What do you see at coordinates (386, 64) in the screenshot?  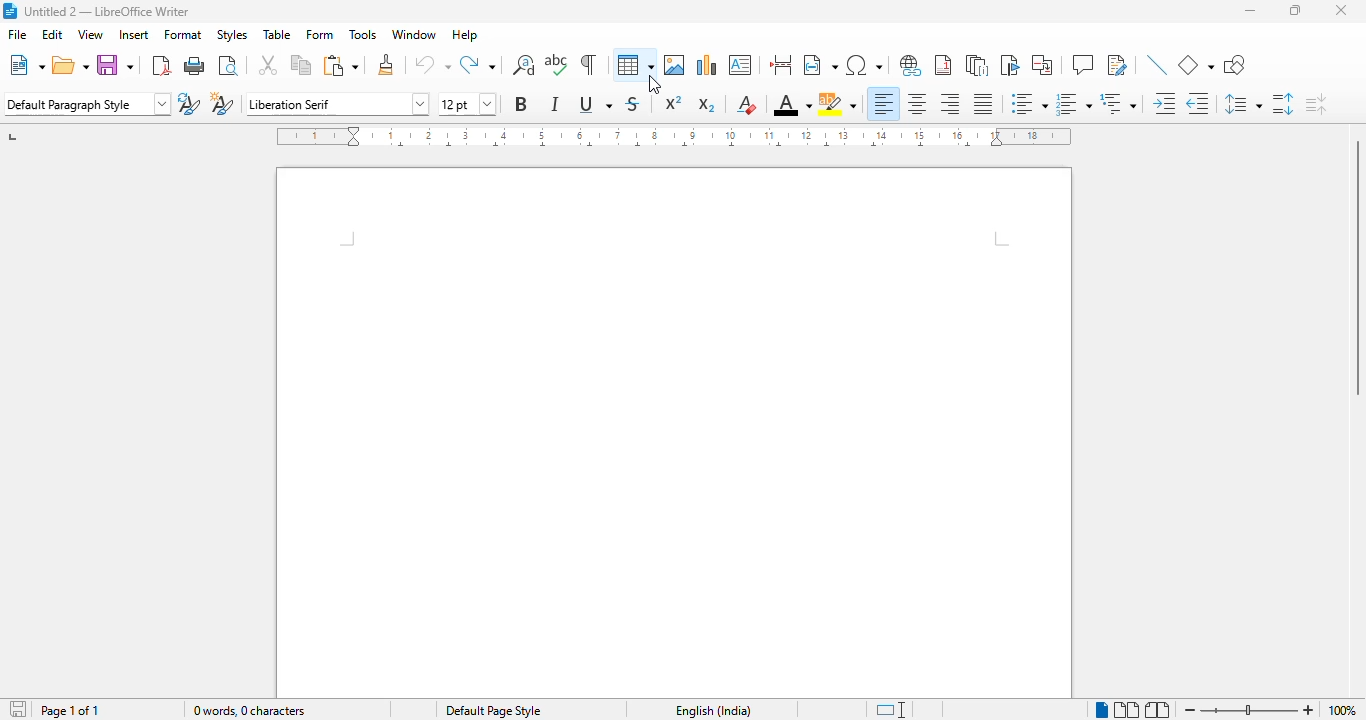 I see `clone formatting` at bounding box center [386, 64].